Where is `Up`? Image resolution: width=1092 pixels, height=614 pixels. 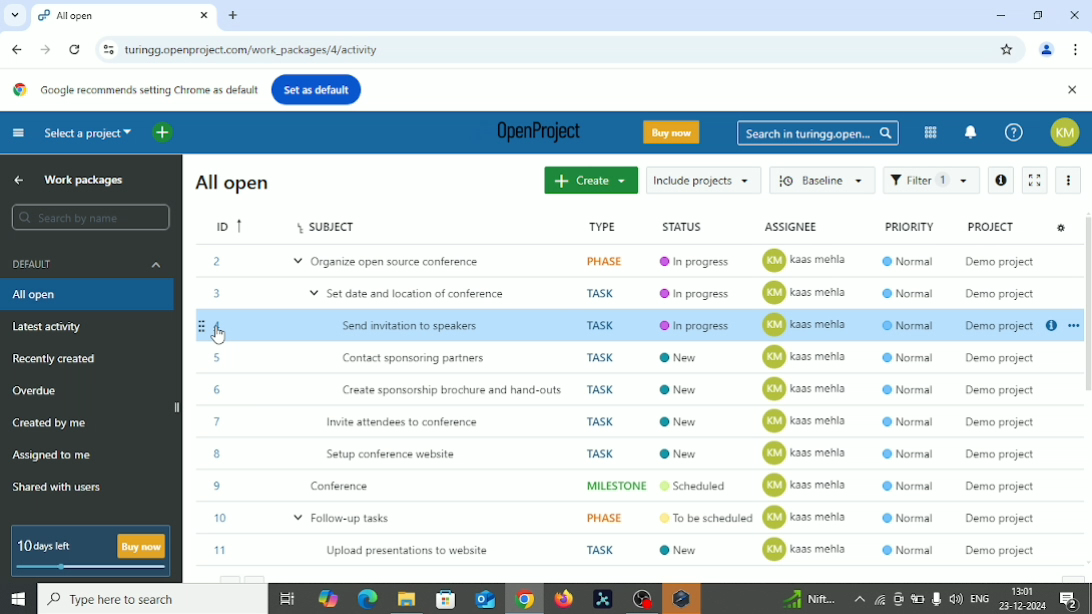 Up is located at coordinates (19, 179).